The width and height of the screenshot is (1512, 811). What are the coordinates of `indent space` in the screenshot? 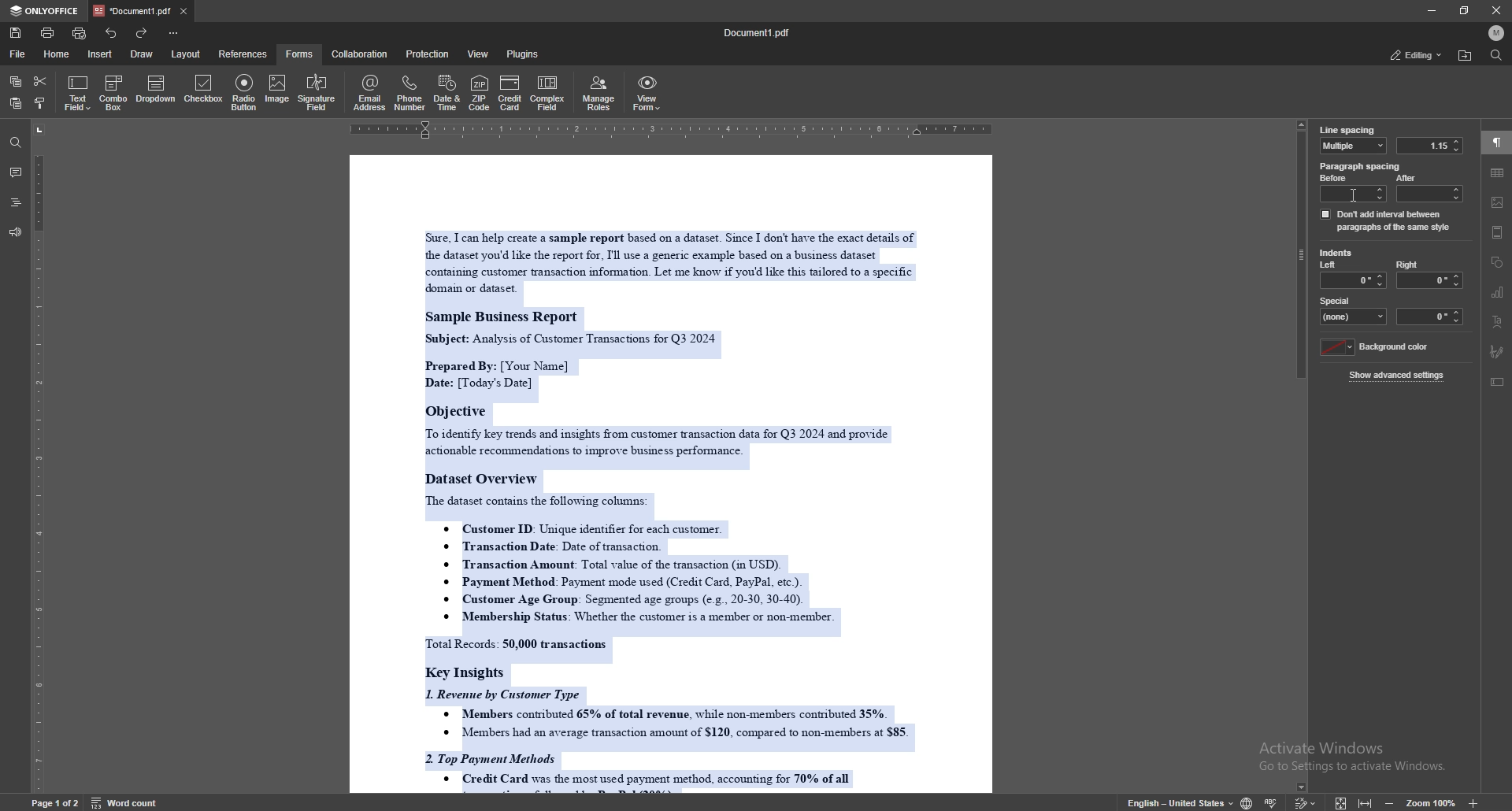 It's located at (1431, 317).